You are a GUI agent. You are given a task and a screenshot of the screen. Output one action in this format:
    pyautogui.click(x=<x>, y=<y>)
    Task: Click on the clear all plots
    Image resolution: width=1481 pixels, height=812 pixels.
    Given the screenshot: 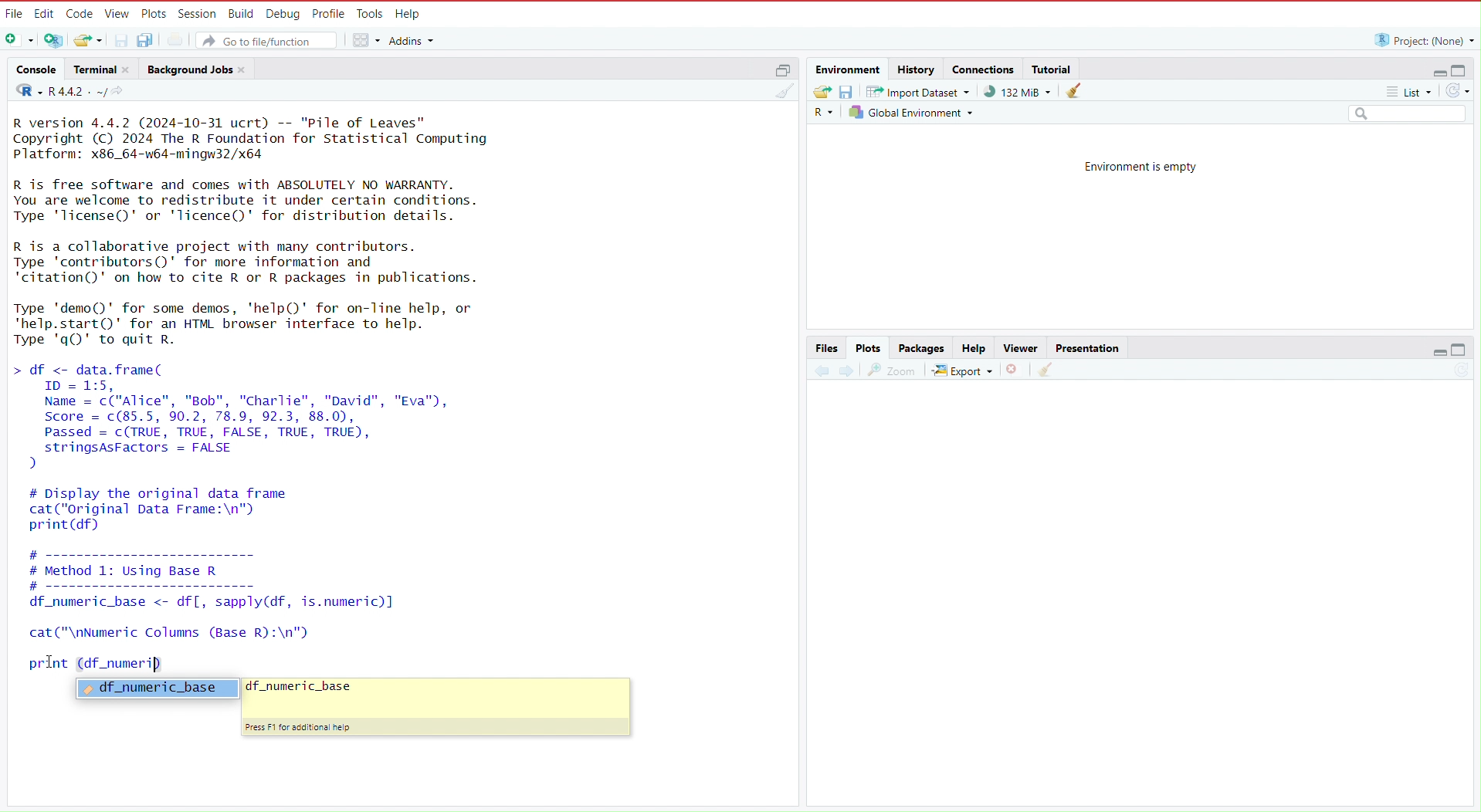 What is the action you would take?
    pyautogui.click(x=1046, y=371)
    